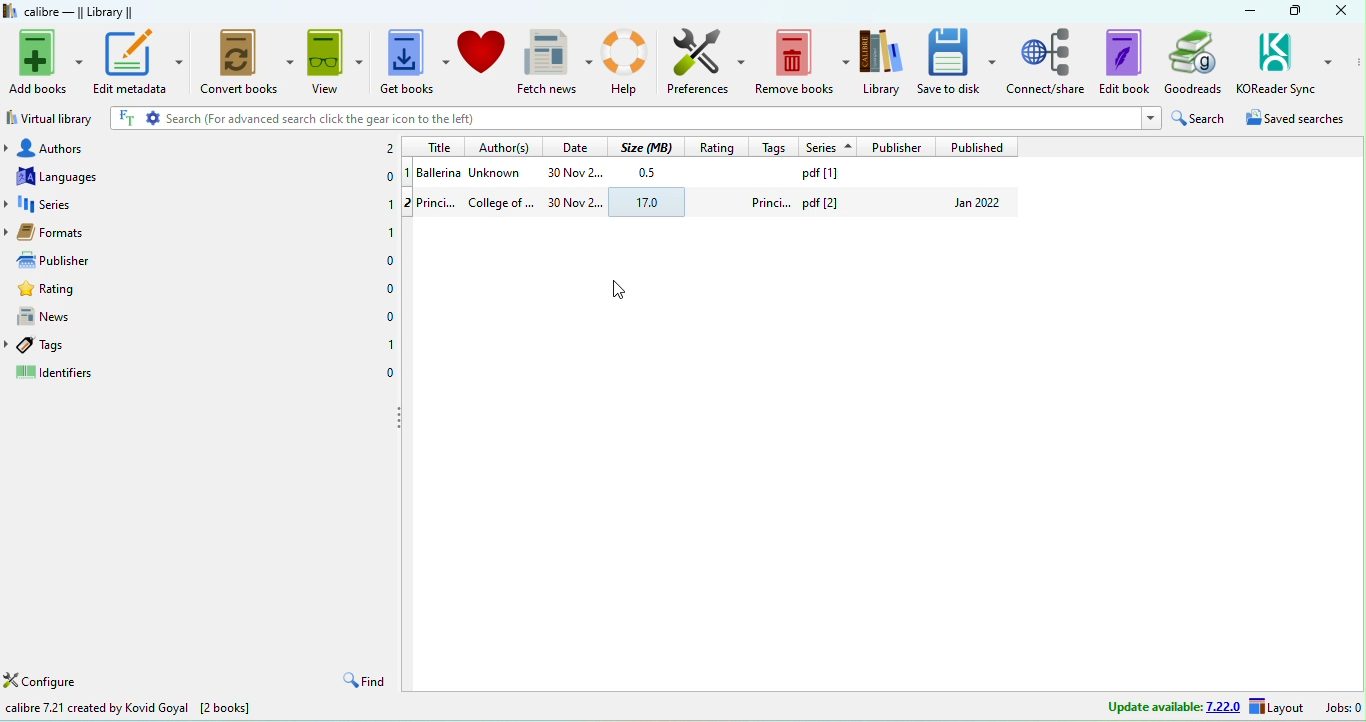 This screenshot has width=1366, height=722. I want to click on update available 7.22.0, so click(1174, 705).